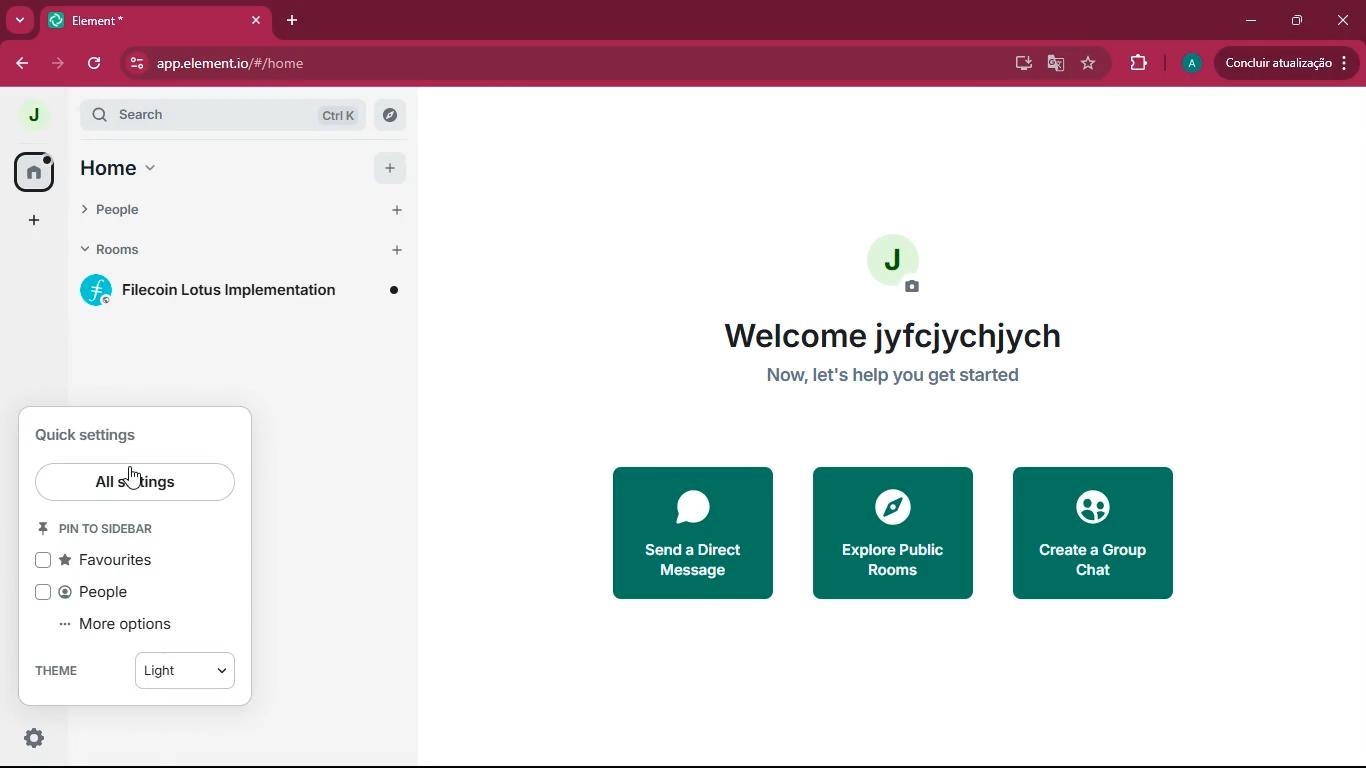 The width and height of the screenshot is (1366, 768). Describe the element at coordinates (137, 482) in the screenshot. I see `all settings` at that location.